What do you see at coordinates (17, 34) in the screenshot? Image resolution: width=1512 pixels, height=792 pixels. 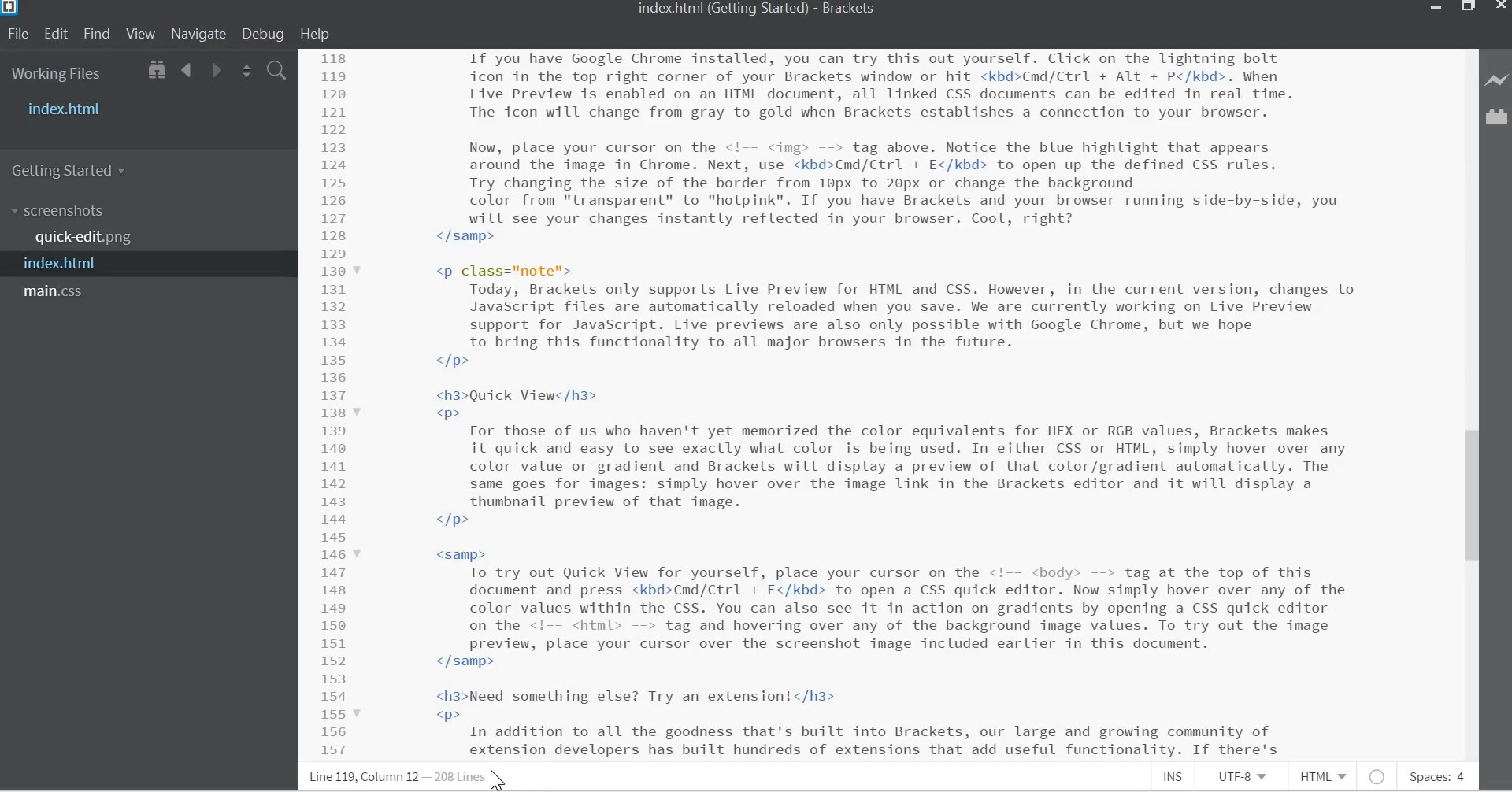 I see `File` at bounding box center [17, 34].